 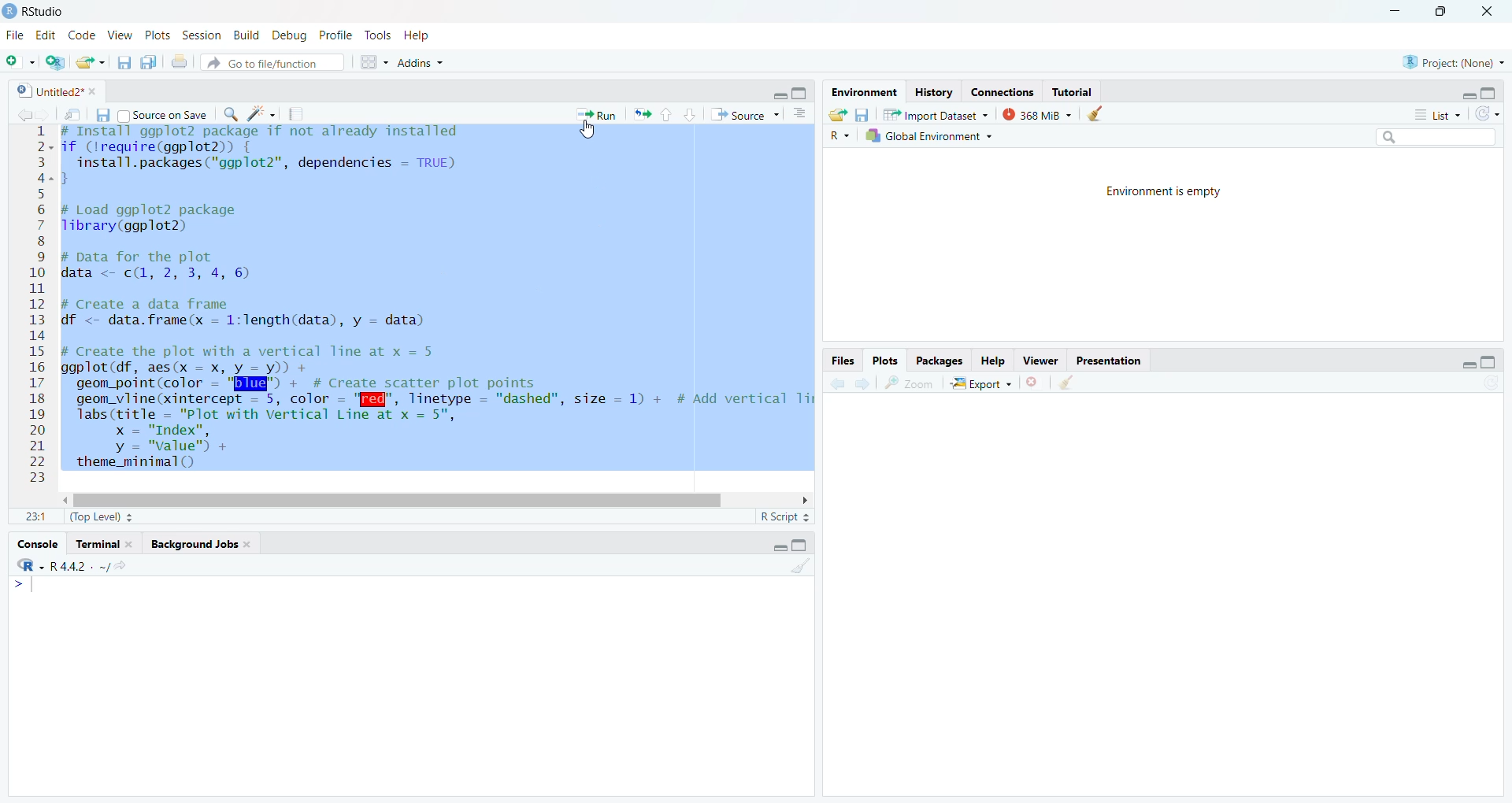 What do you see at coordinates (1436, 115) in the screenshot?
I see `List ` at bounding box center [1436, 115].